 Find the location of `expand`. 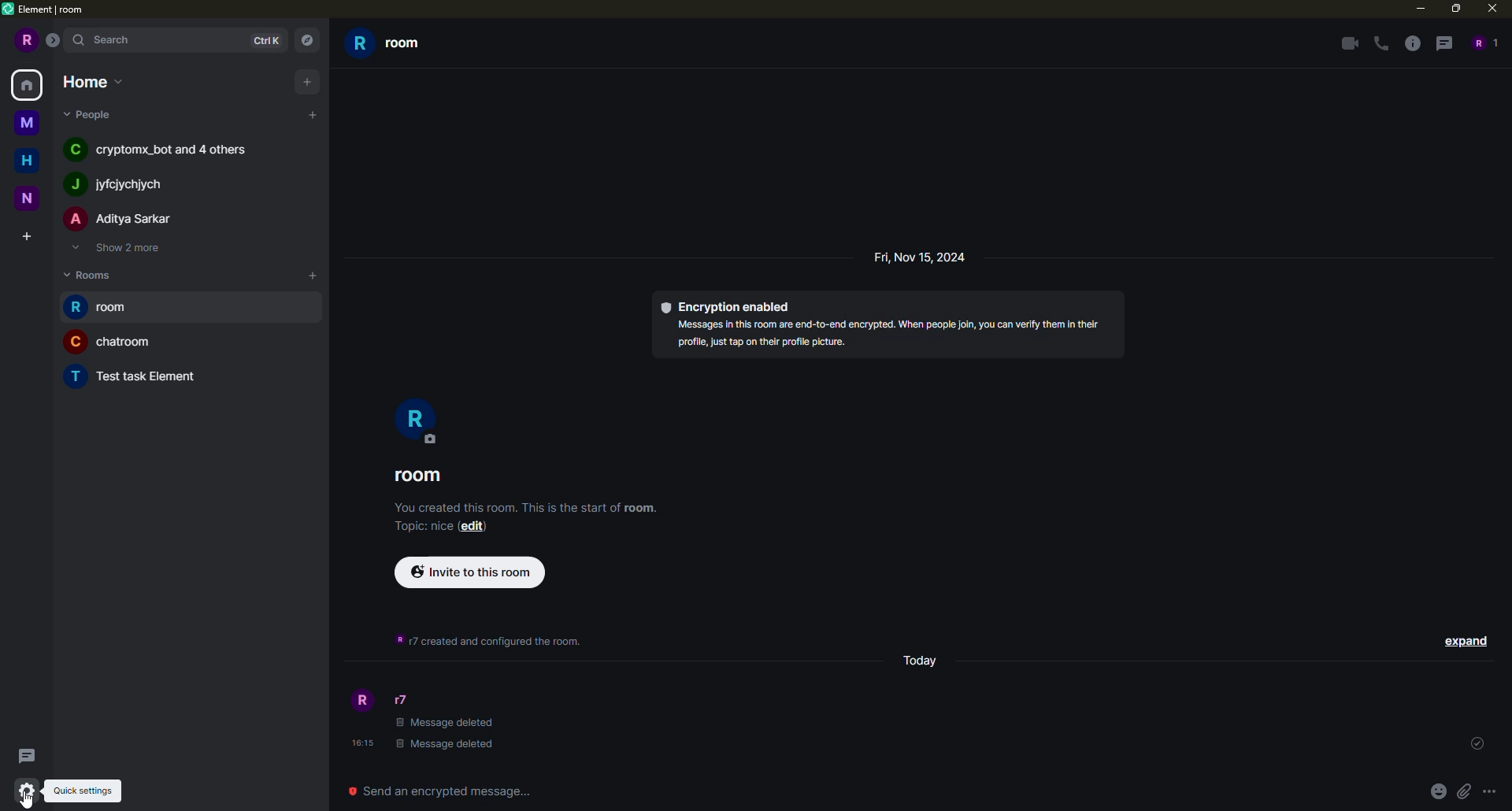

expand is located at coordinates (57, 41).